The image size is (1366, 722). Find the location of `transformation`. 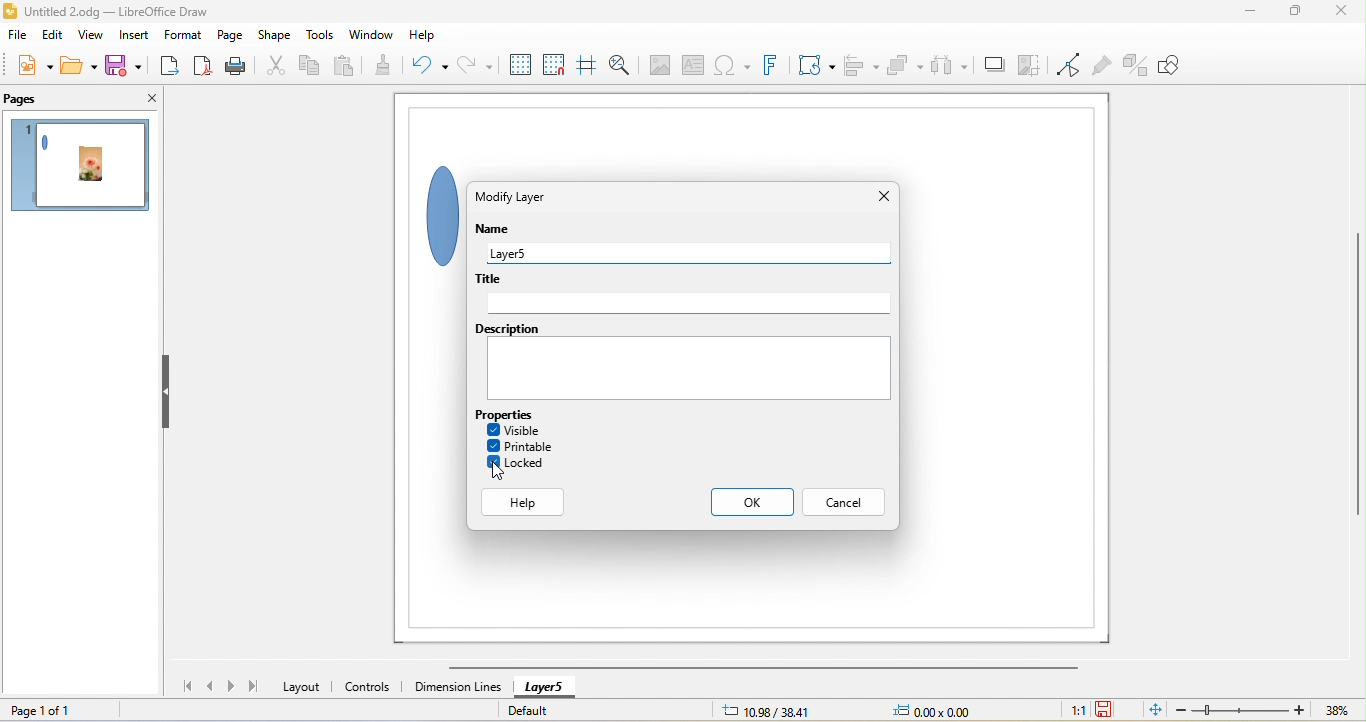

transformation is located at coordinates (817, 65).